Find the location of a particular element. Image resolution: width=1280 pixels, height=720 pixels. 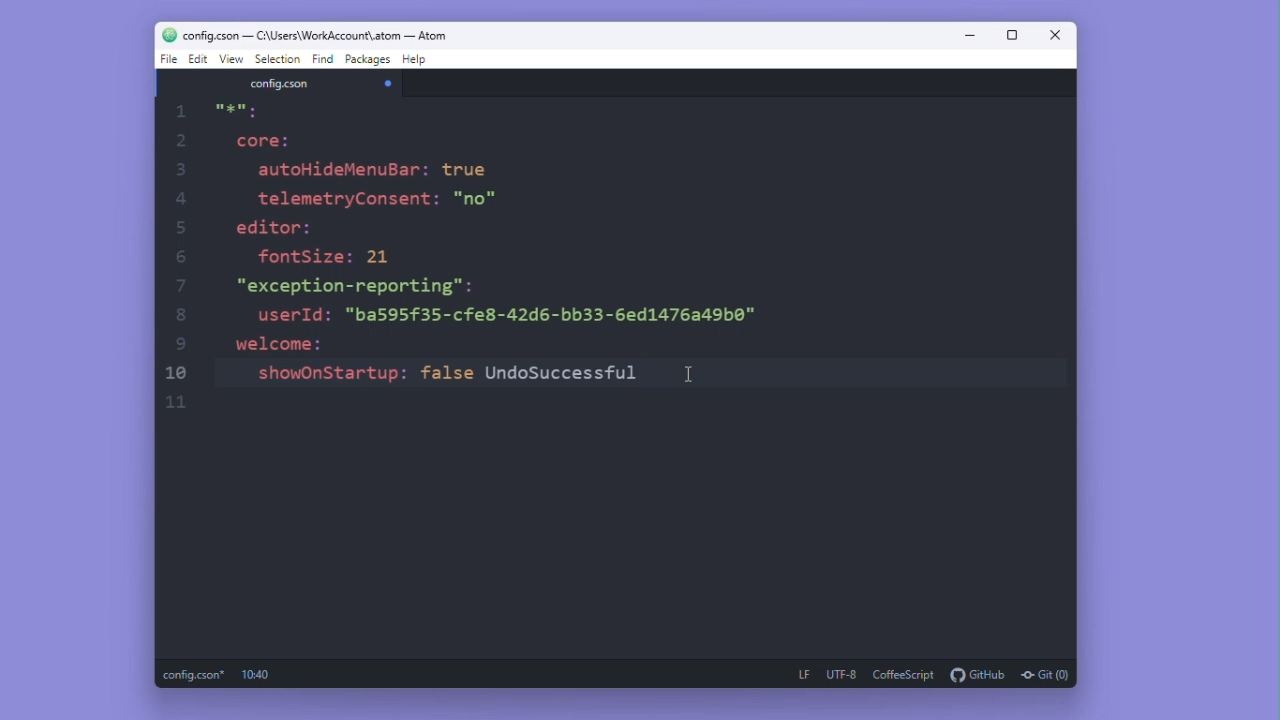

coffeescript is located at coordinates (905, 674).